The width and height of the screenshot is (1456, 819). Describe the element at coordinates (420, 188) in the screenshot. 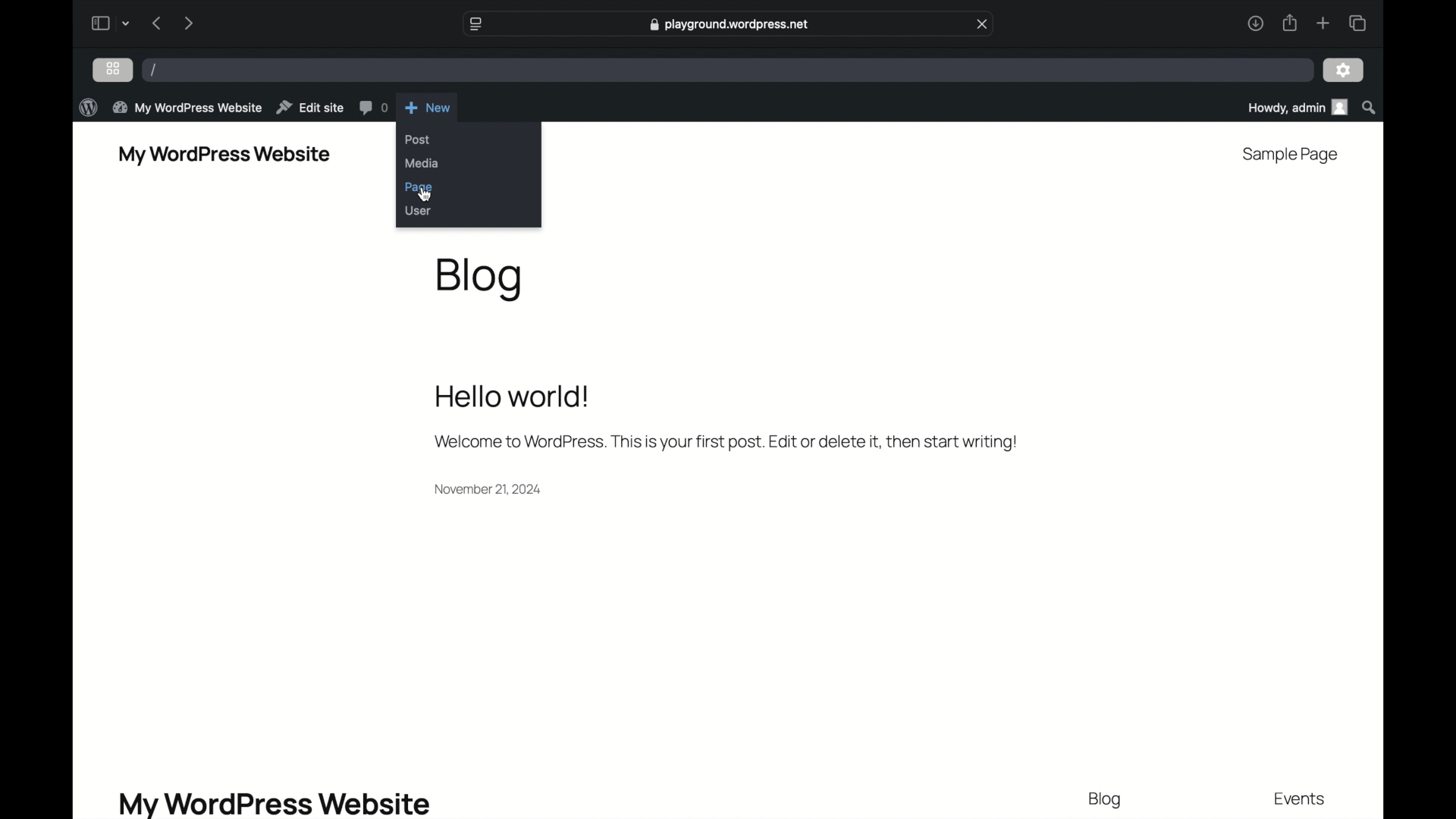

I see `page` at that location.